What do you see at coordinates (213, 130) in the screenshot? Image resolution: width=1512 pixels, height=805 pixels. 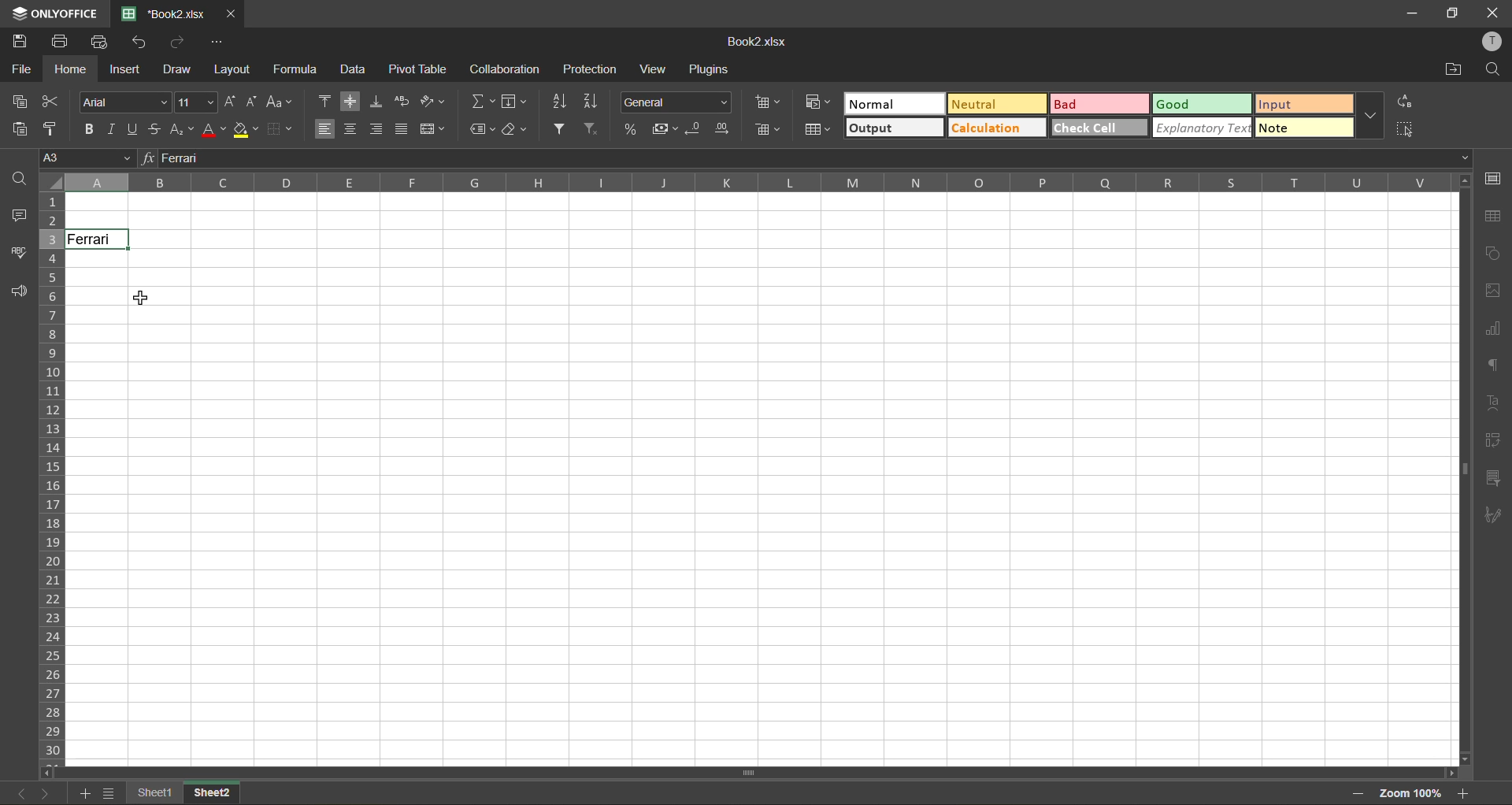 I see `font color` at bounding box center [213, 130].